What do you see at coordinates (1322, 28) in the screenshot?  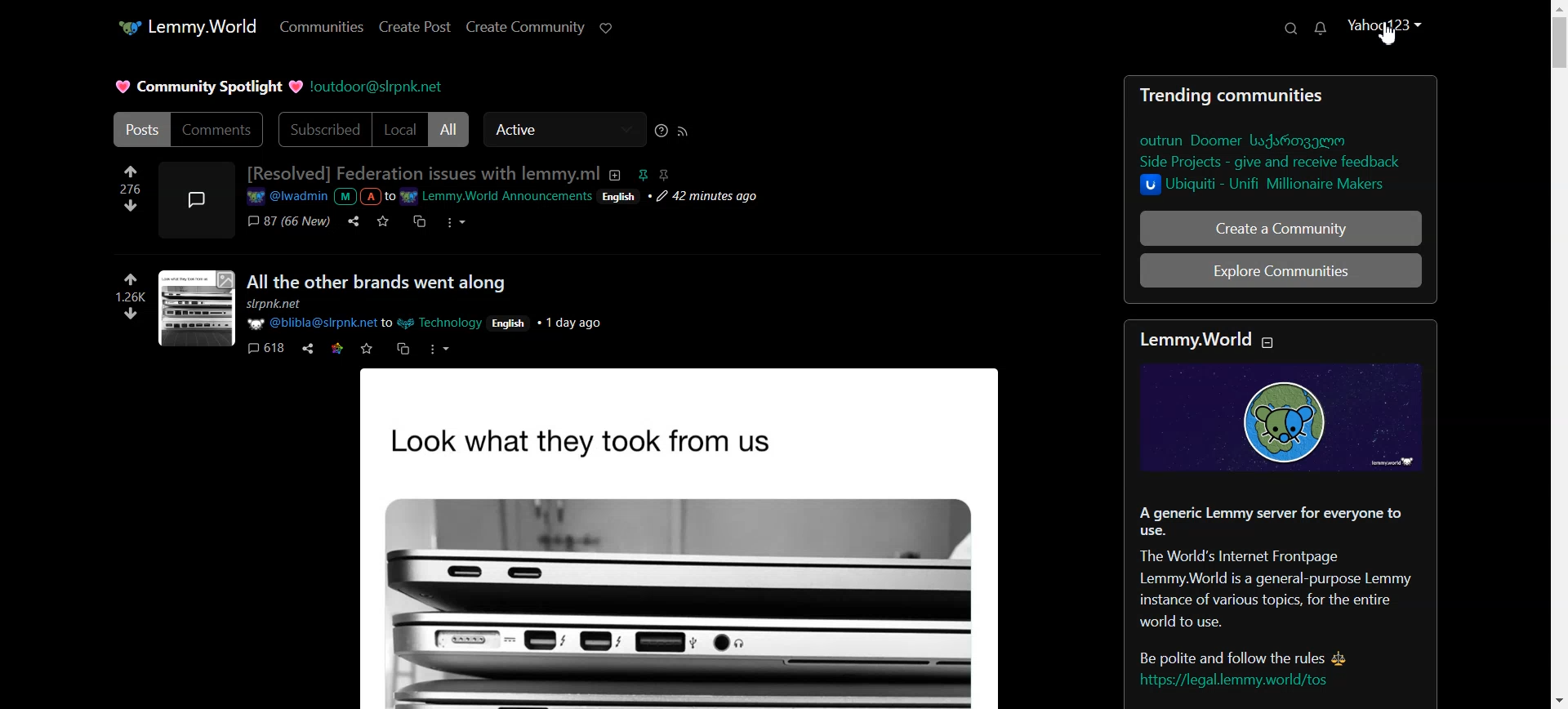 I see `Unread Message` at bounding box center [1322, 28].